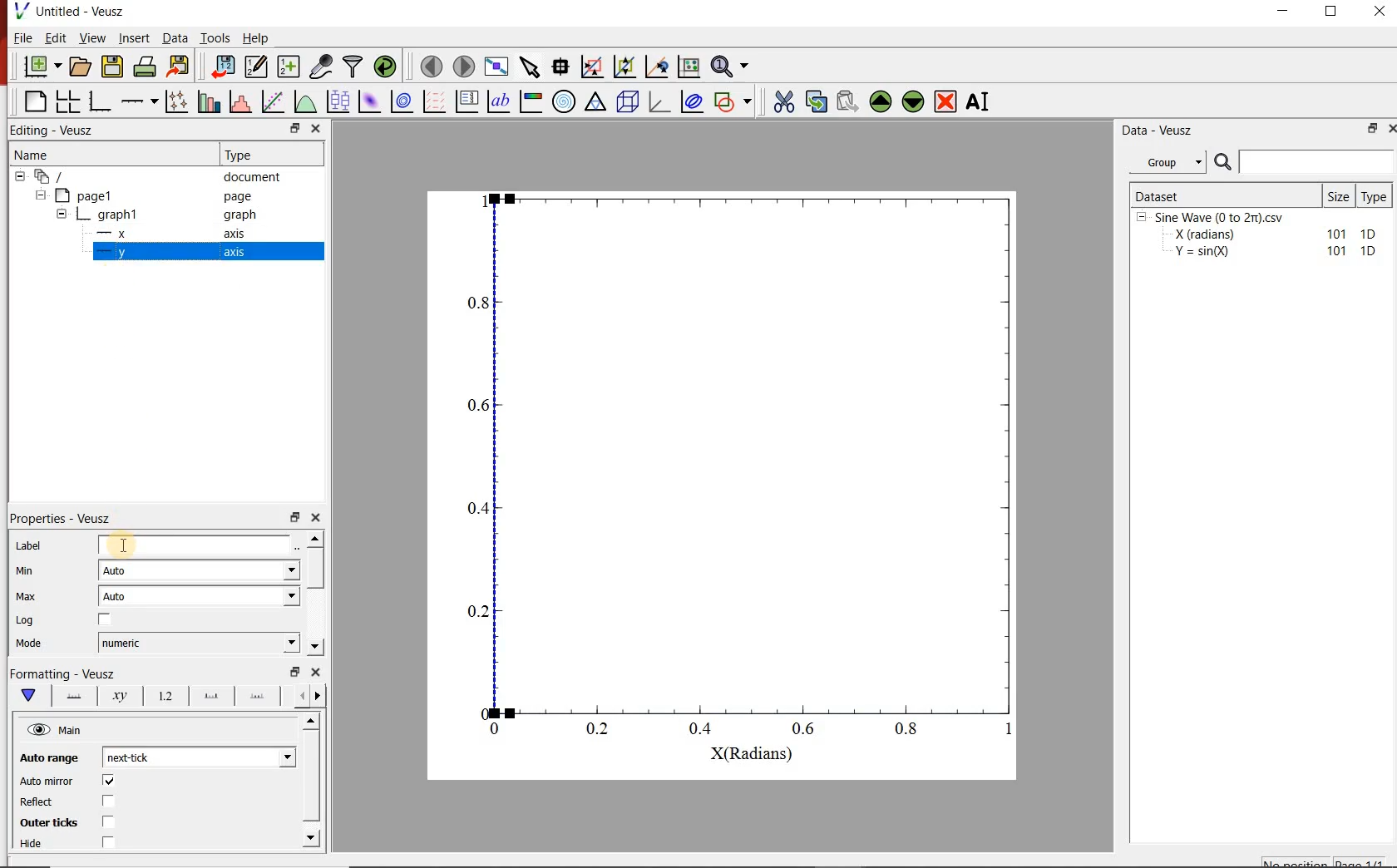  Describe the element at coordinates (71, 694) in the screenshot. I see `options` at that location.